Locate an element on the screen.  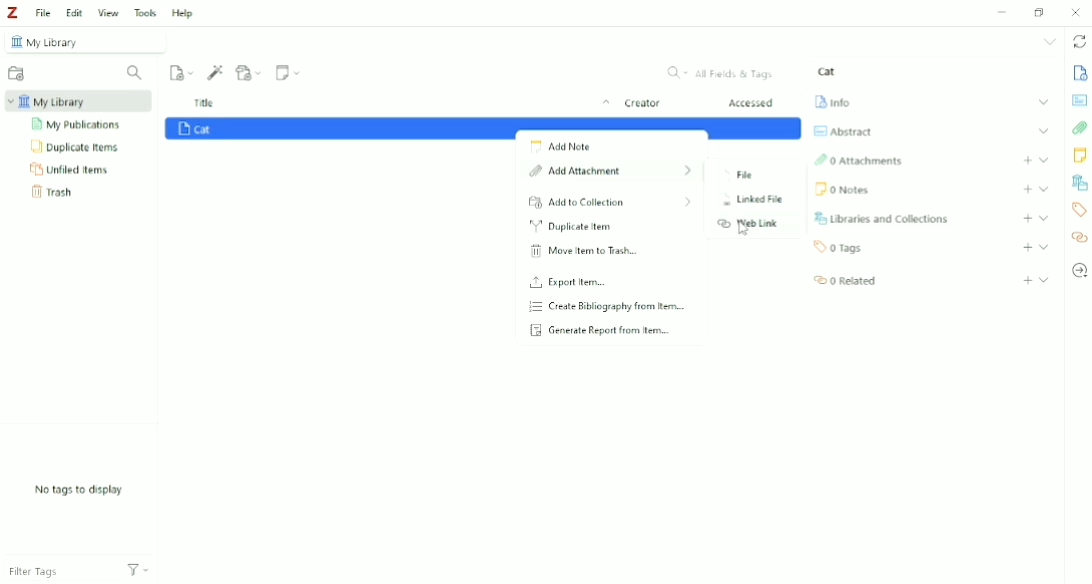
Expand section is located at coordinates (1045, 189).